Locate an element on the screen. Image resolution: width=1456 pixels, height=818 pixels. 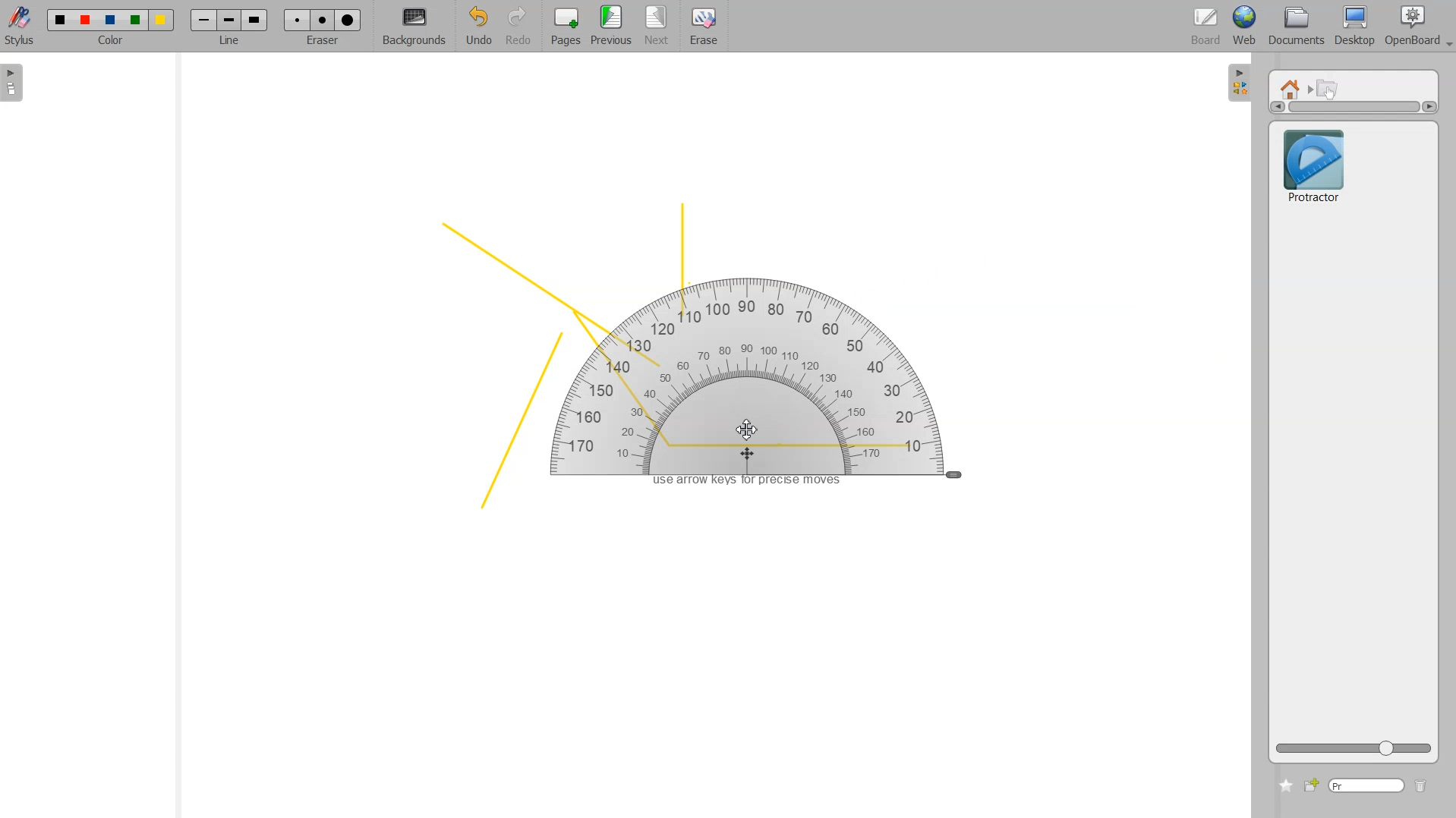
Delete is located at coordinates (1421, 787).